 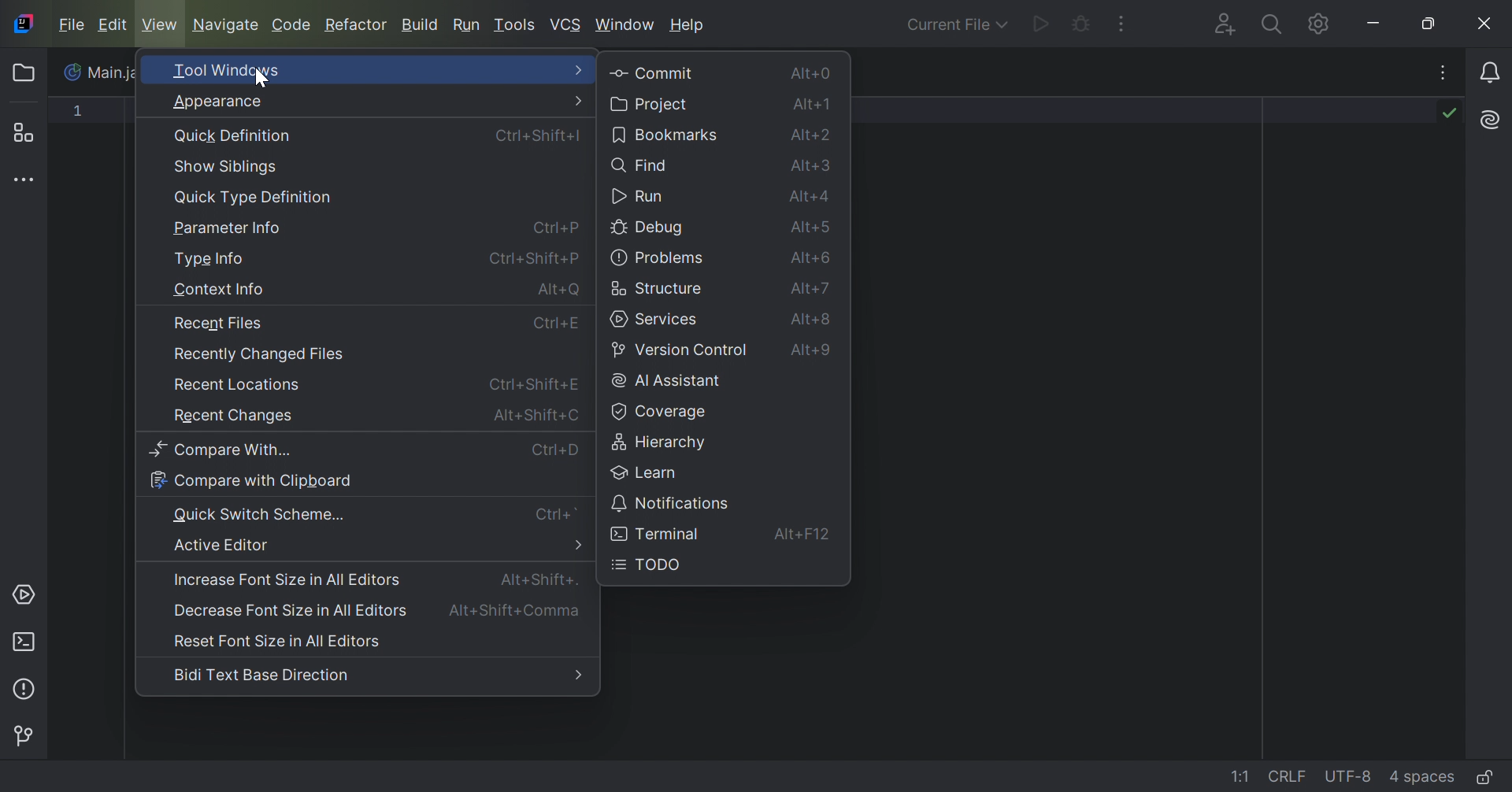 I want to click on Alt+F12, so click(x=802, y=534).